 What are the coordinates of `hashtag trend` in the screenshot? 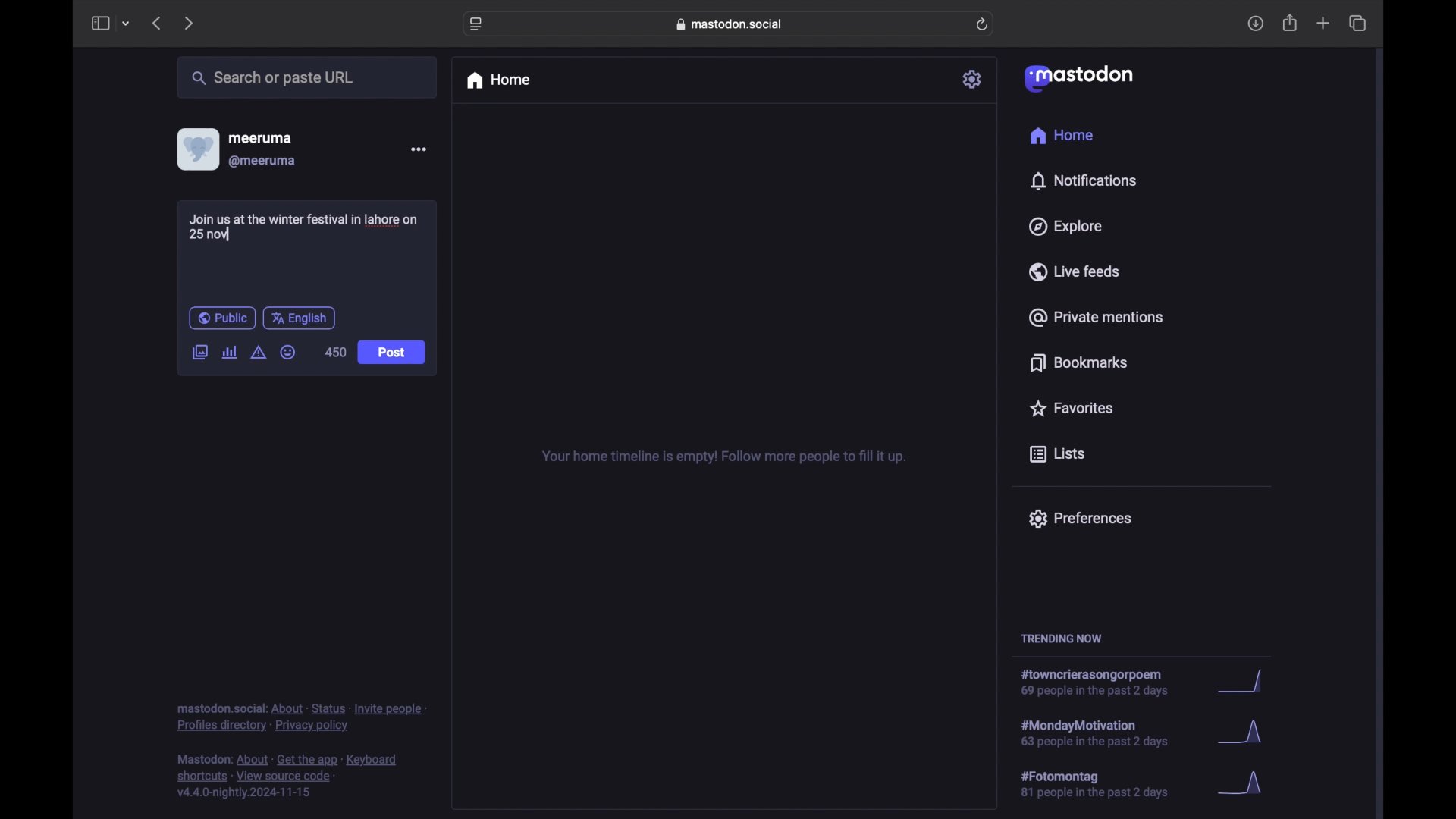 It's located at (1105, 732).